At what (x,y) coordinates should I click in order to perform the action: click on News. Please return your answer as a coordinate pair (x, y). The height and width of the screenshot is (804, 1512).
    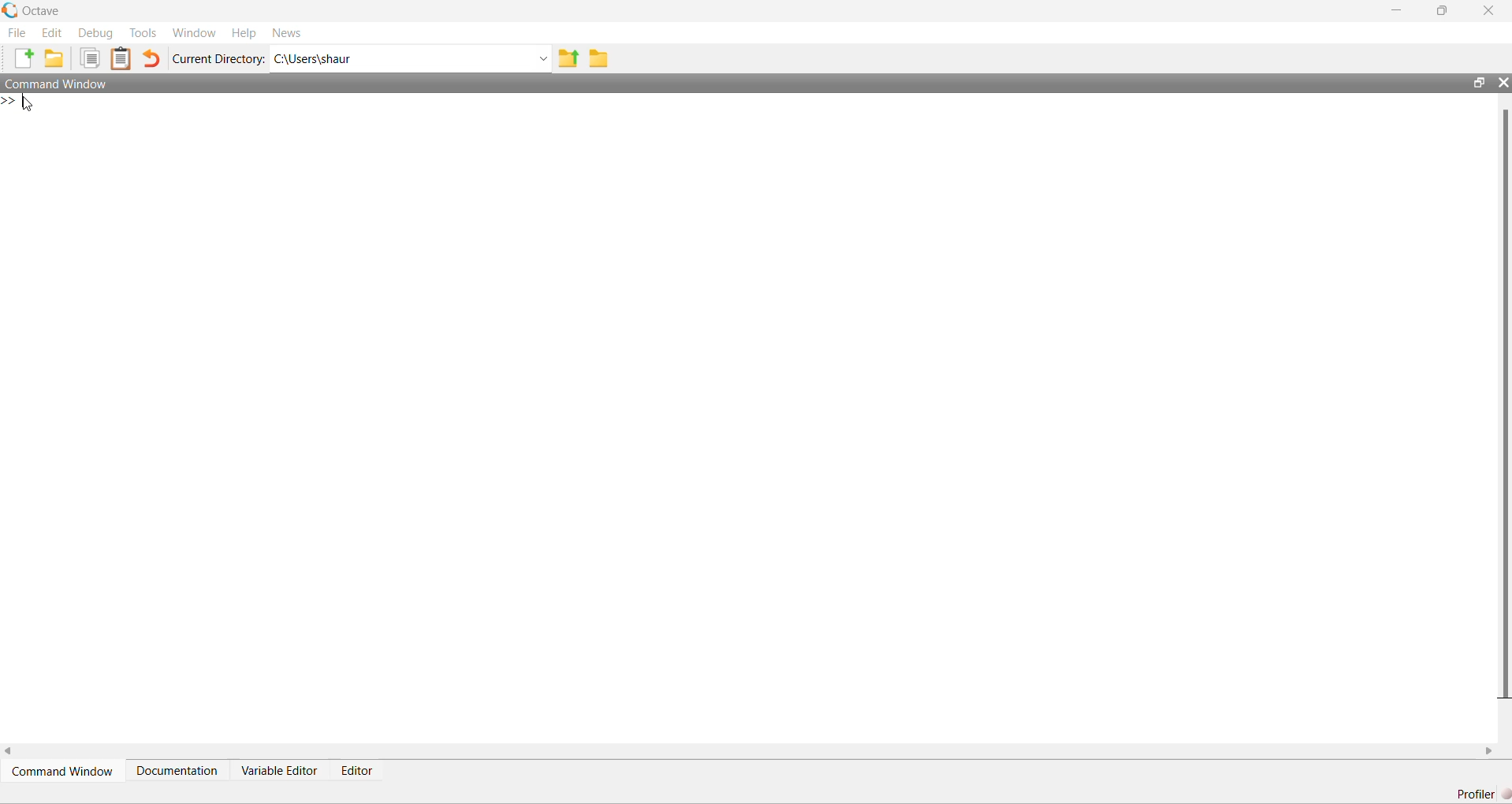
    Looking at the image, I should click on (287, 33).